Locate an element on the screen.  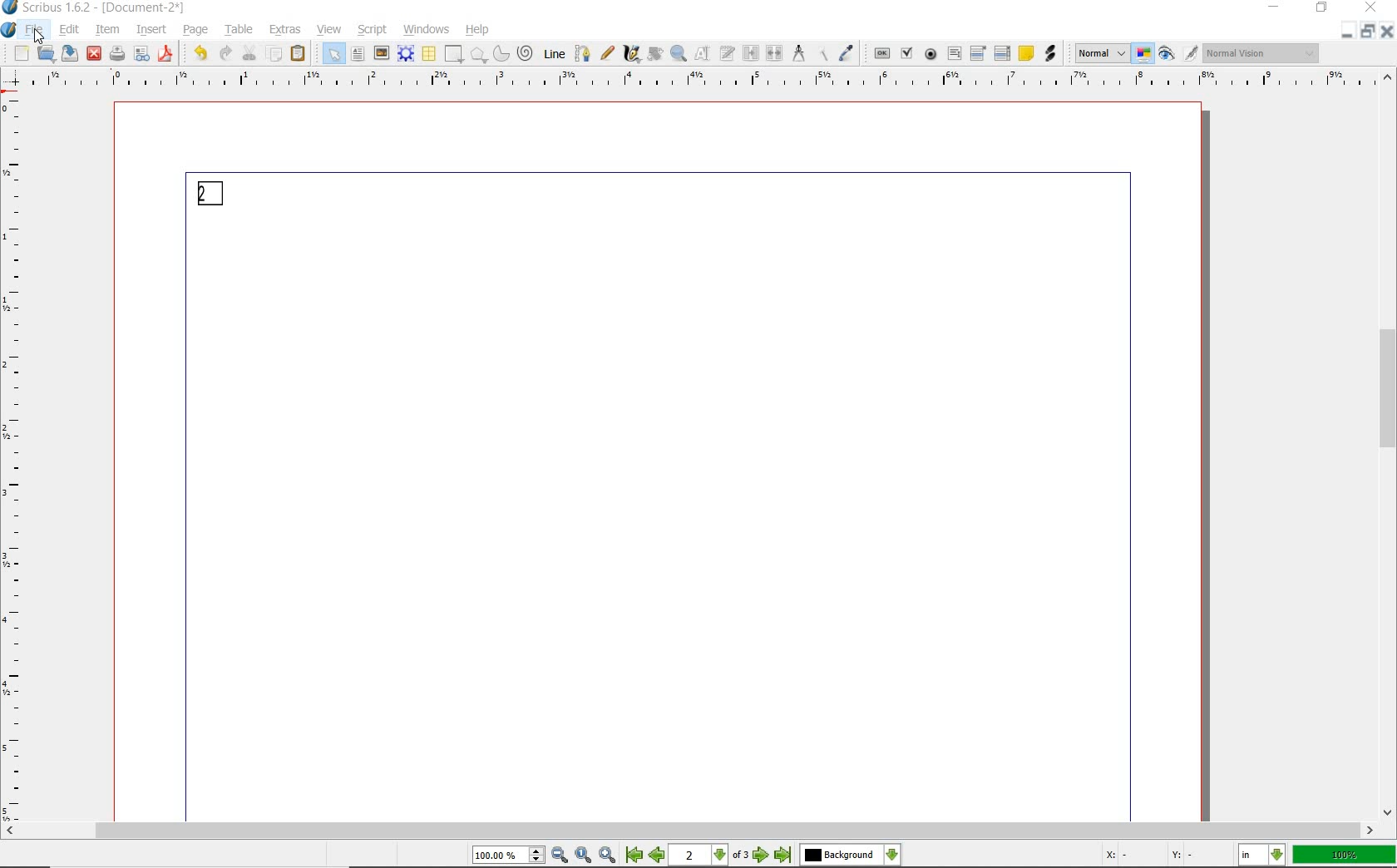
link annotation is located at coordinates (1051, 54).